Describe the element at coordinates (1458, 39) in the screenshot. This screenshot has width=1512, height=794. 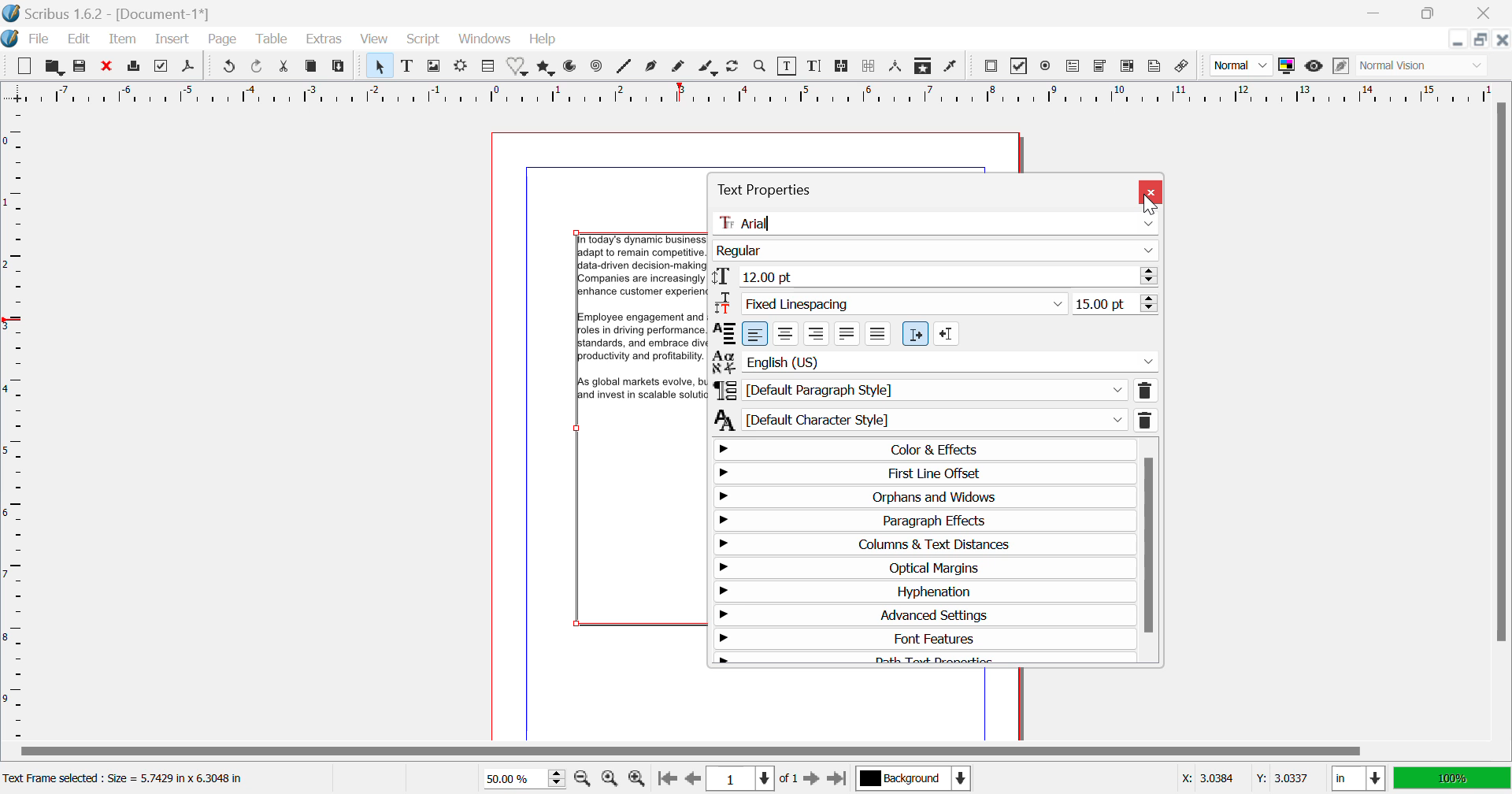
I see `Restore Down` at that location.